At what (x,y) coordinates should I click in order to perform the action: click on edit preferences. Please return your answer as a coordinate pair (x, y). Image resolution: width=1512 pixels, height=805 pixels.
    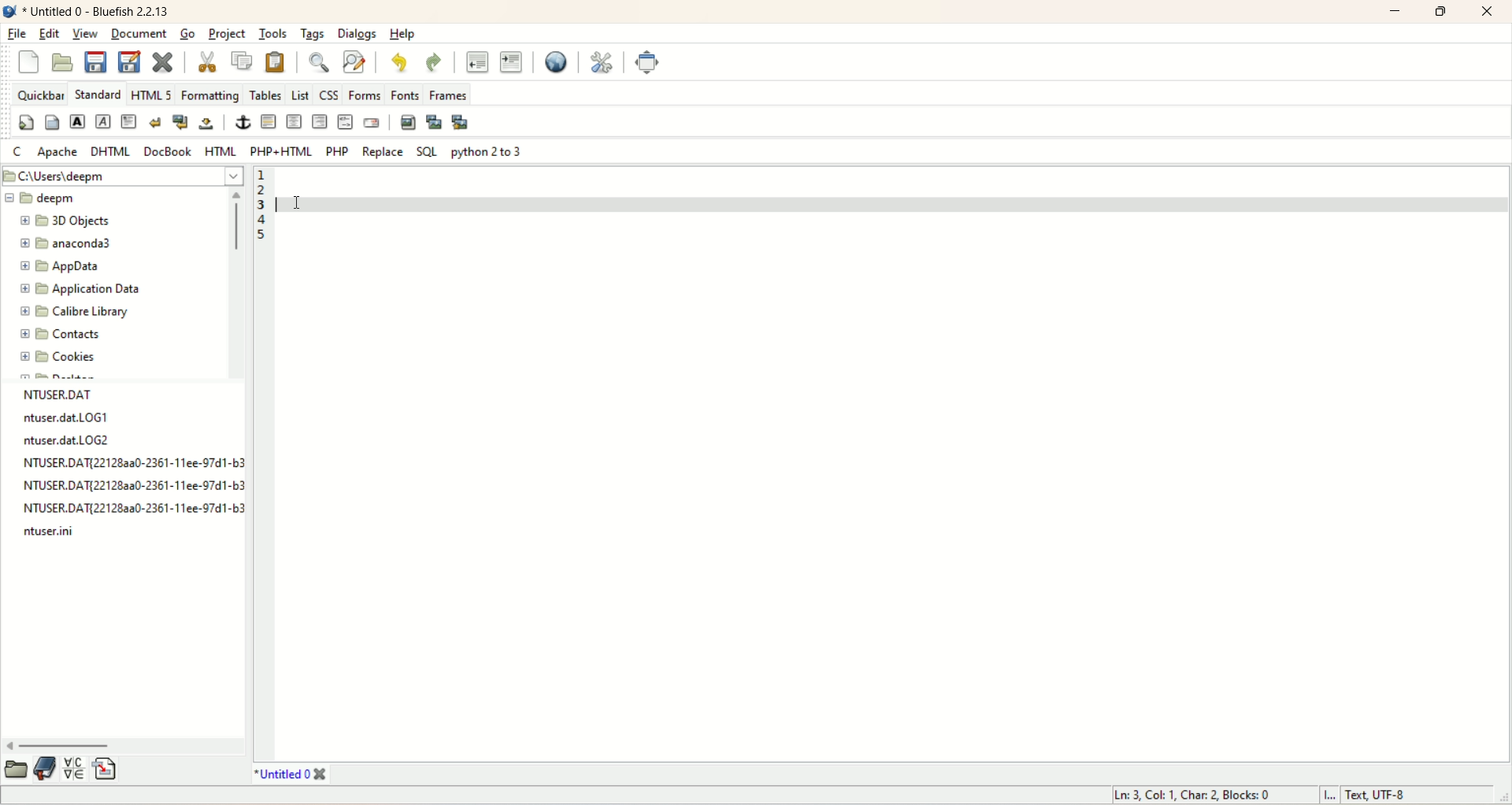
    Looking at the image, I should click on (600, 62).